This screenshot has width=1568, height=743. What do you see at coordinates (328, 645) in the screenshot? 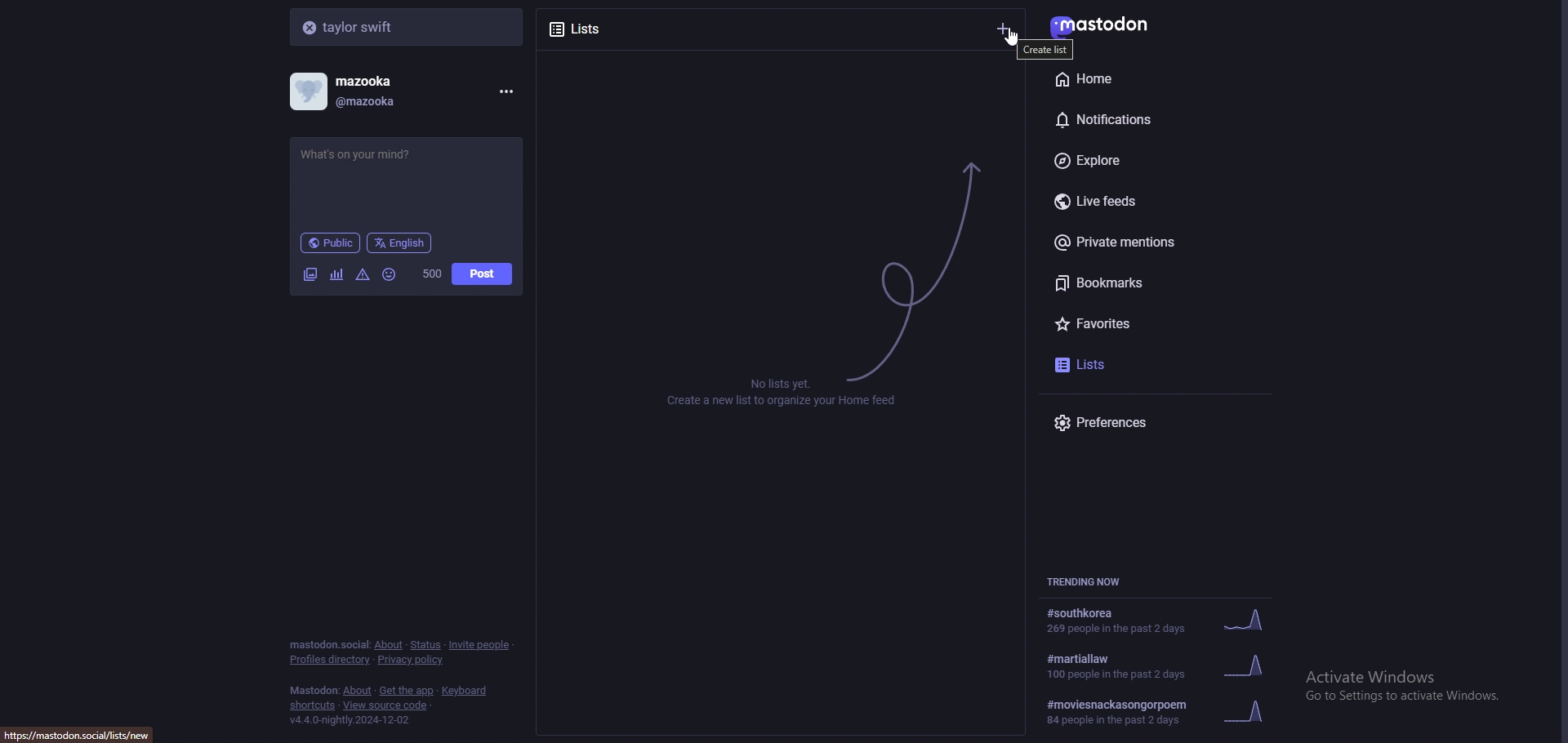
I see `mastodon social` at bounding box center [328, 645].